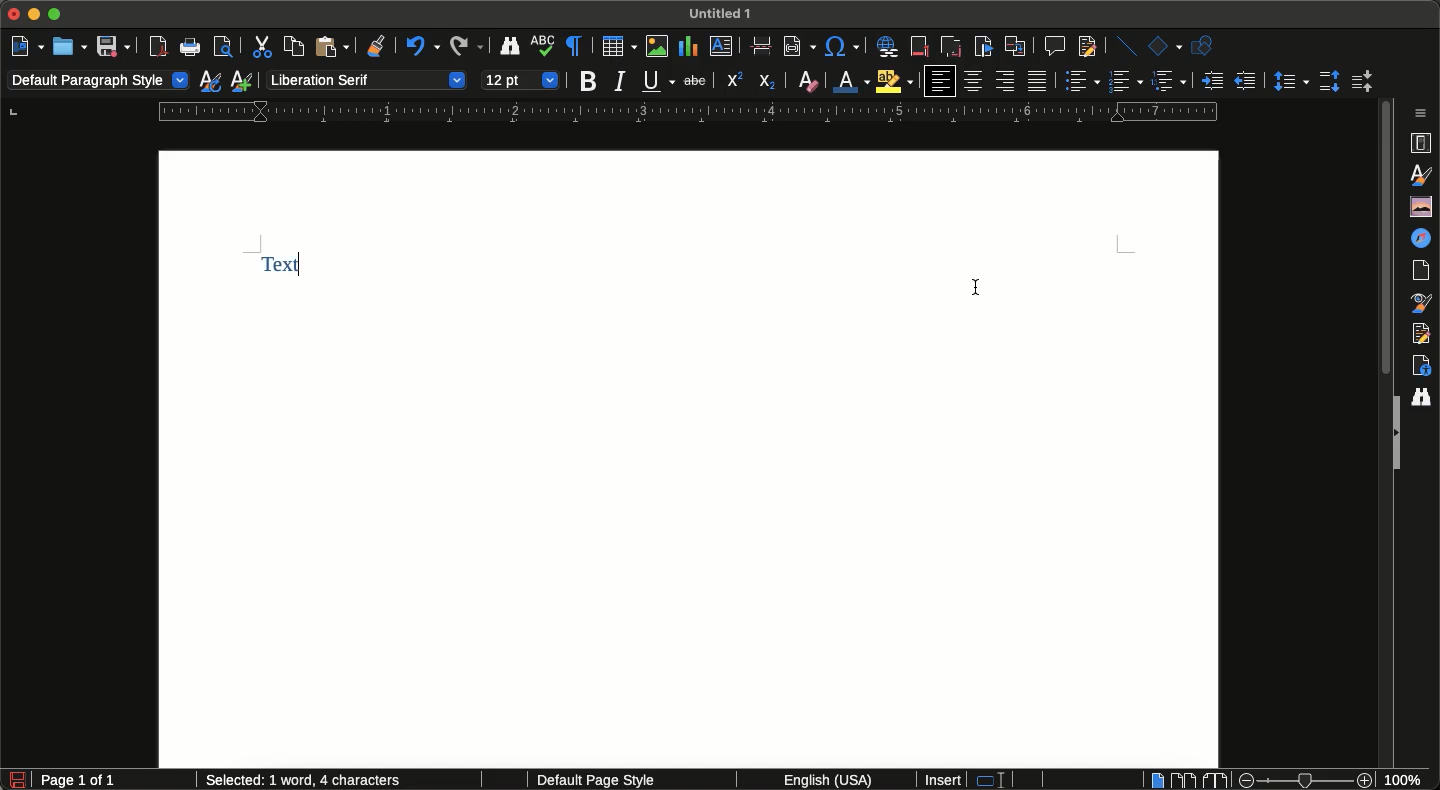 This screenshot has width=1440, height=790. What do you see at coordinates (658, 81) in the screenshot?
I see `Underline` at bounding box center [658, 81].